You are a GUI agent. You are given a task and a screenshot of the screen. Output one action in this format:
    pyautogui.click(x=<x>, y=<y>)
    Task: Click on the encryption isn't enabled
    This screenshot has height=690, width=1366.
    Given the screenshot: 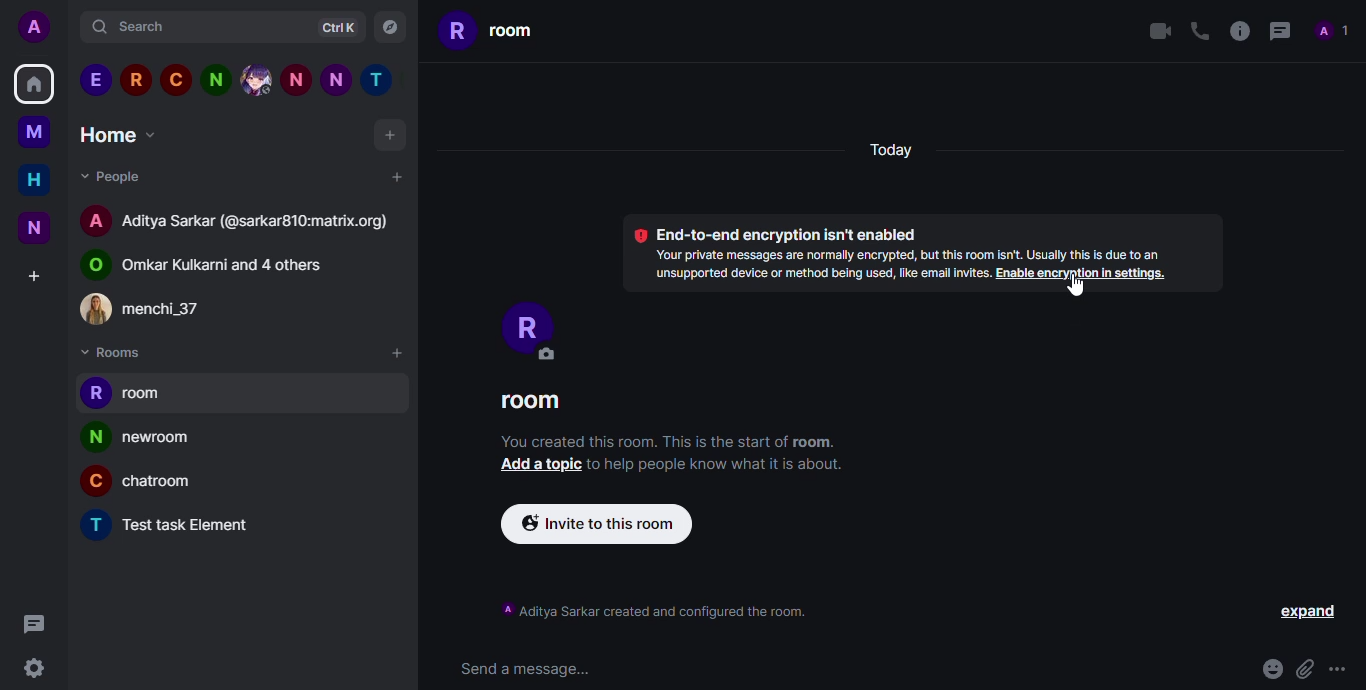 What is the action you would take?
    pyautogui.click(x=772, y=233)
    